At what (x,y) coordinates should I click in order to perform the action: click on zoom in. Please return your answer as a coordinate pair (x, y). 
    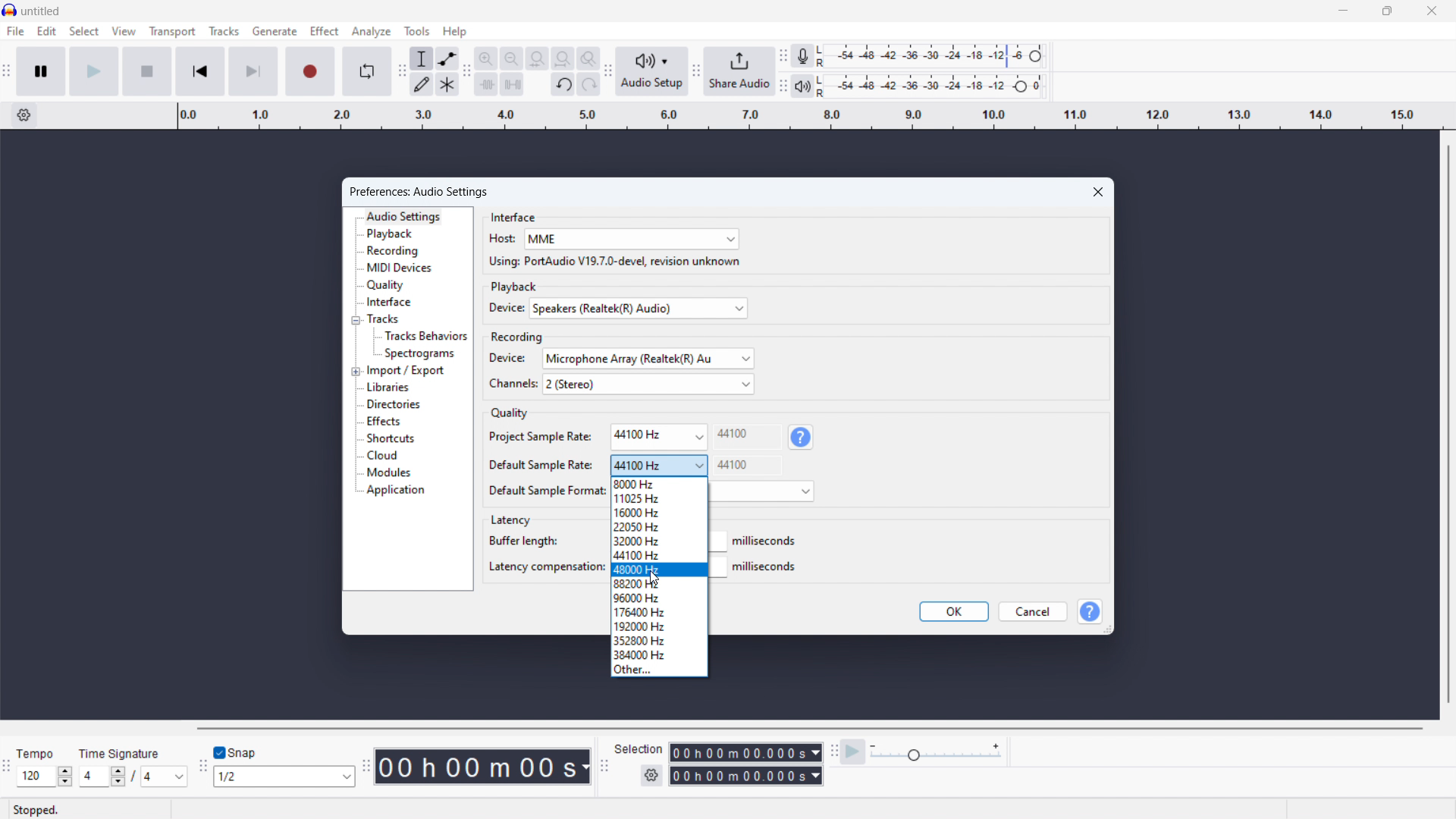
    Looking at the image, I should click on (485, 58).